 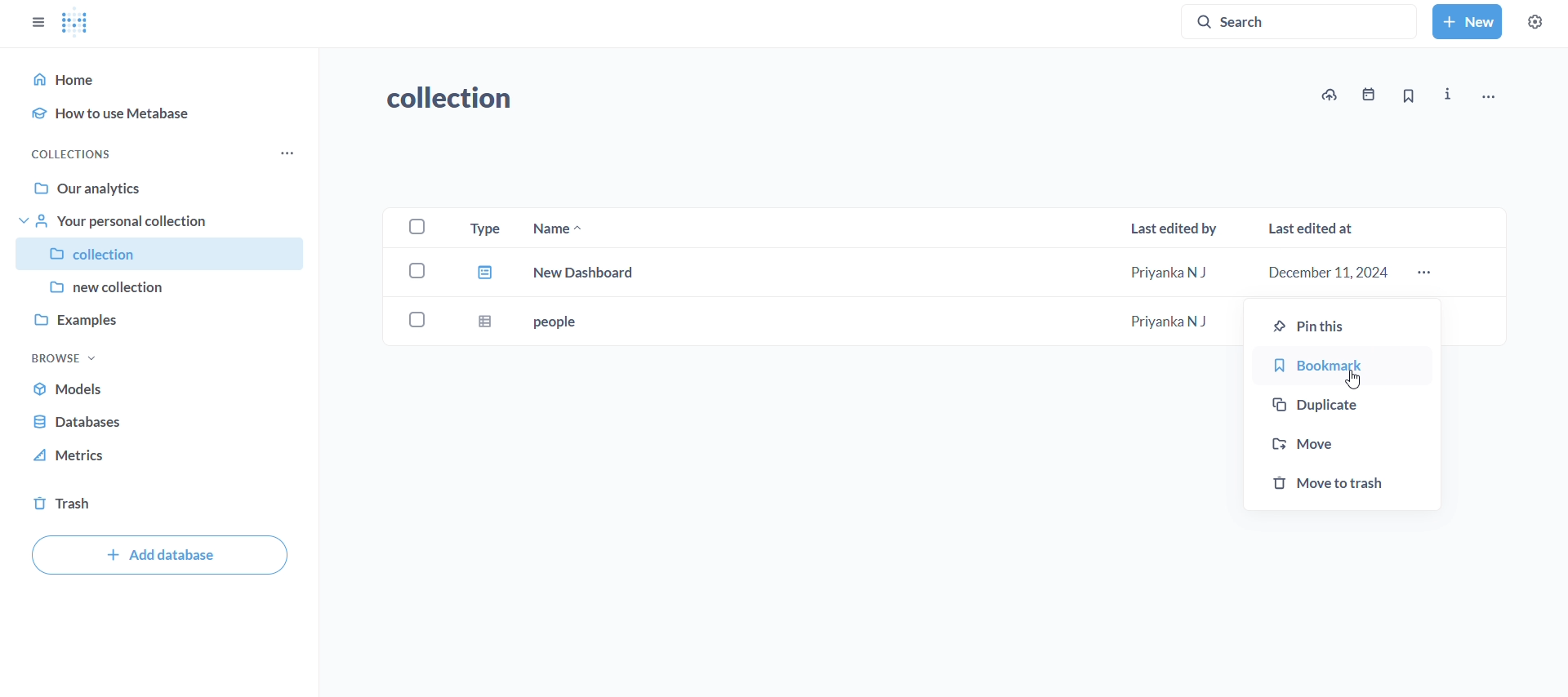 I want to click on move to ttrash, so click(x=1343, y=482).